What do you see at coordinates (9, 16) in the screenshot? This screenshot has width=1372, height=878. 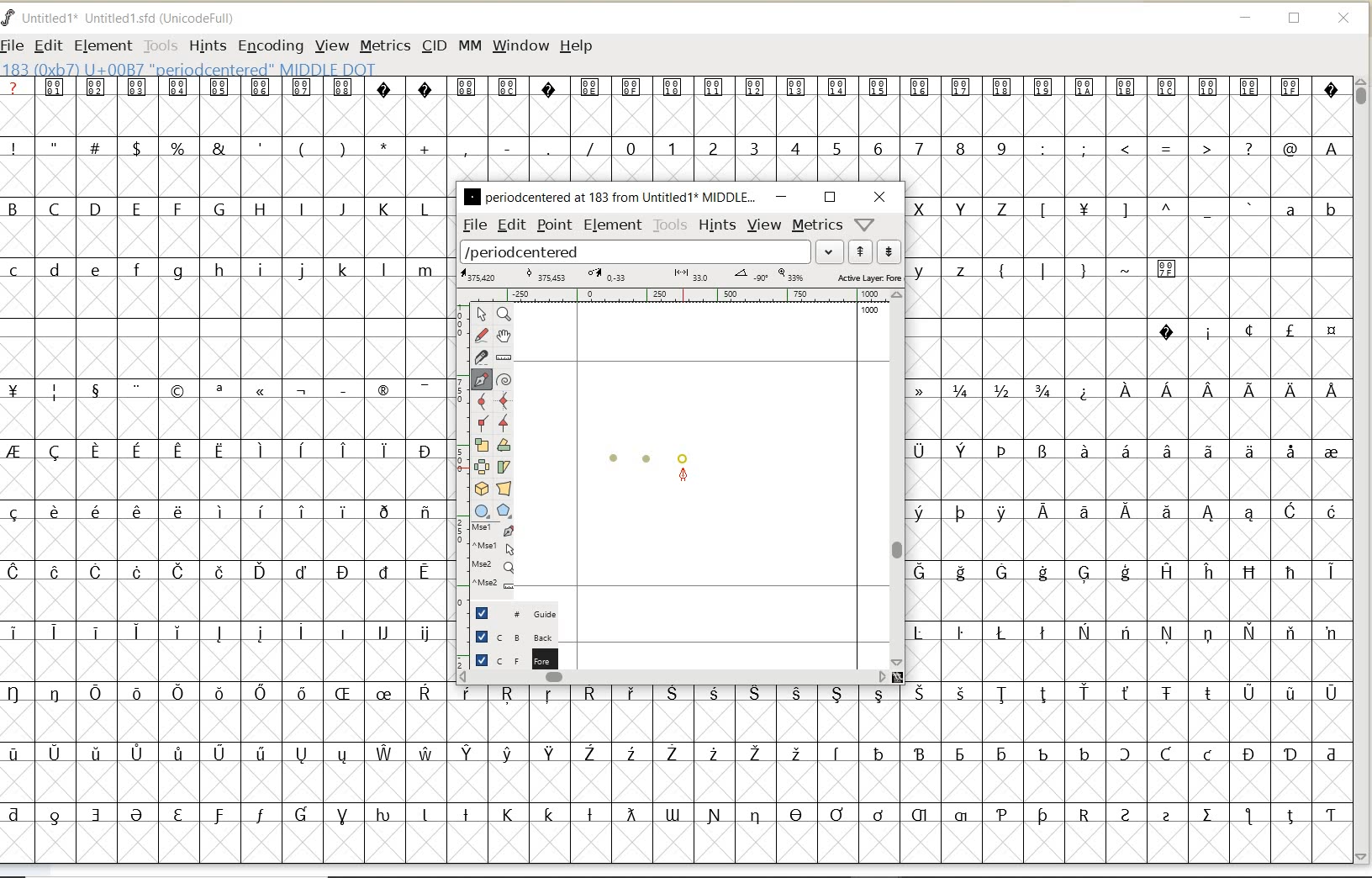 I see `FontForge Logo` at bounding box center [9, 16].